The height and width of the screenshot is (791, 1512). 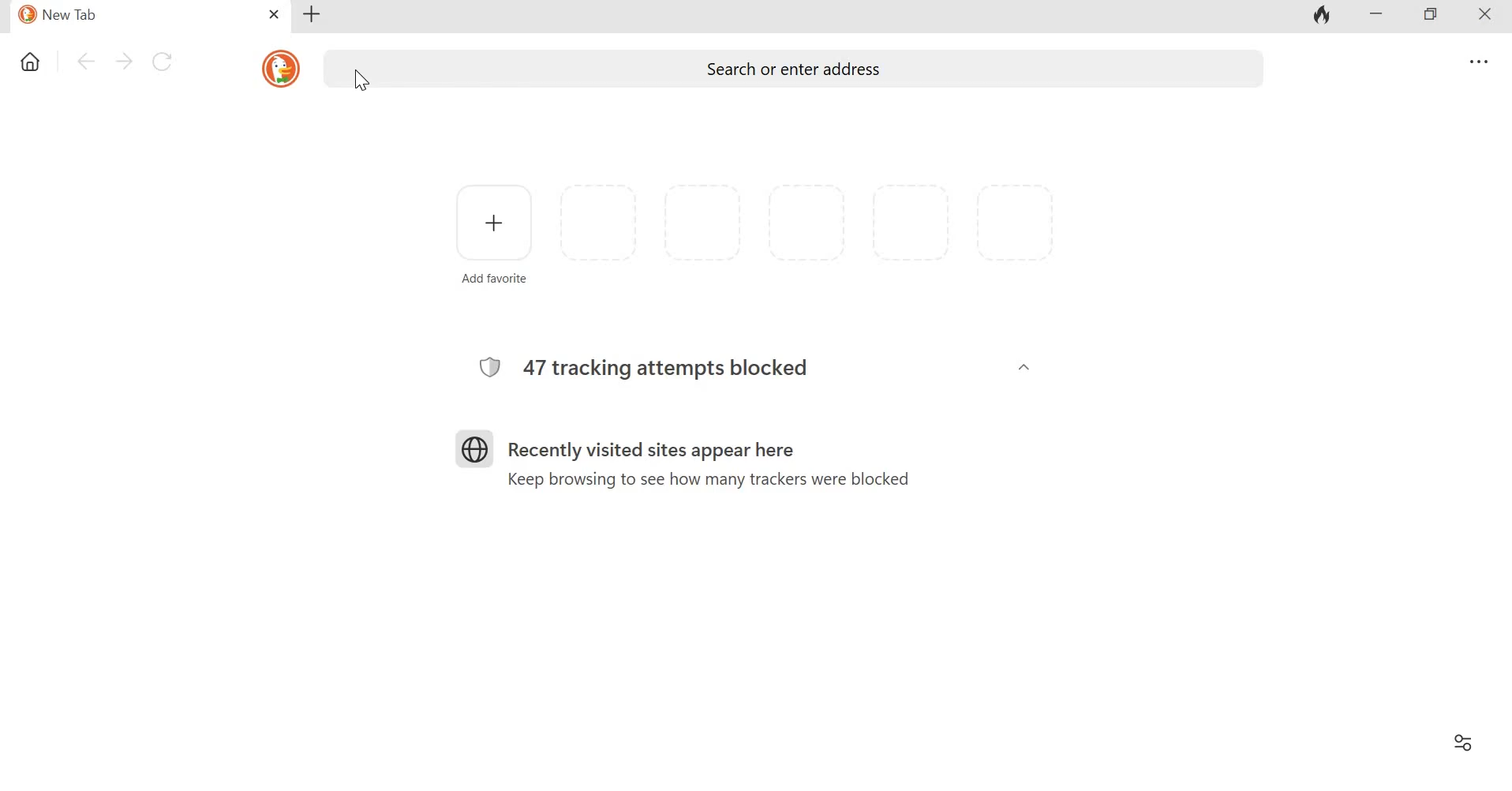 What do you see at coordinates (1327, 15) in the screenshot?
I see `Fire icon` at bounding box center [1327, 15].